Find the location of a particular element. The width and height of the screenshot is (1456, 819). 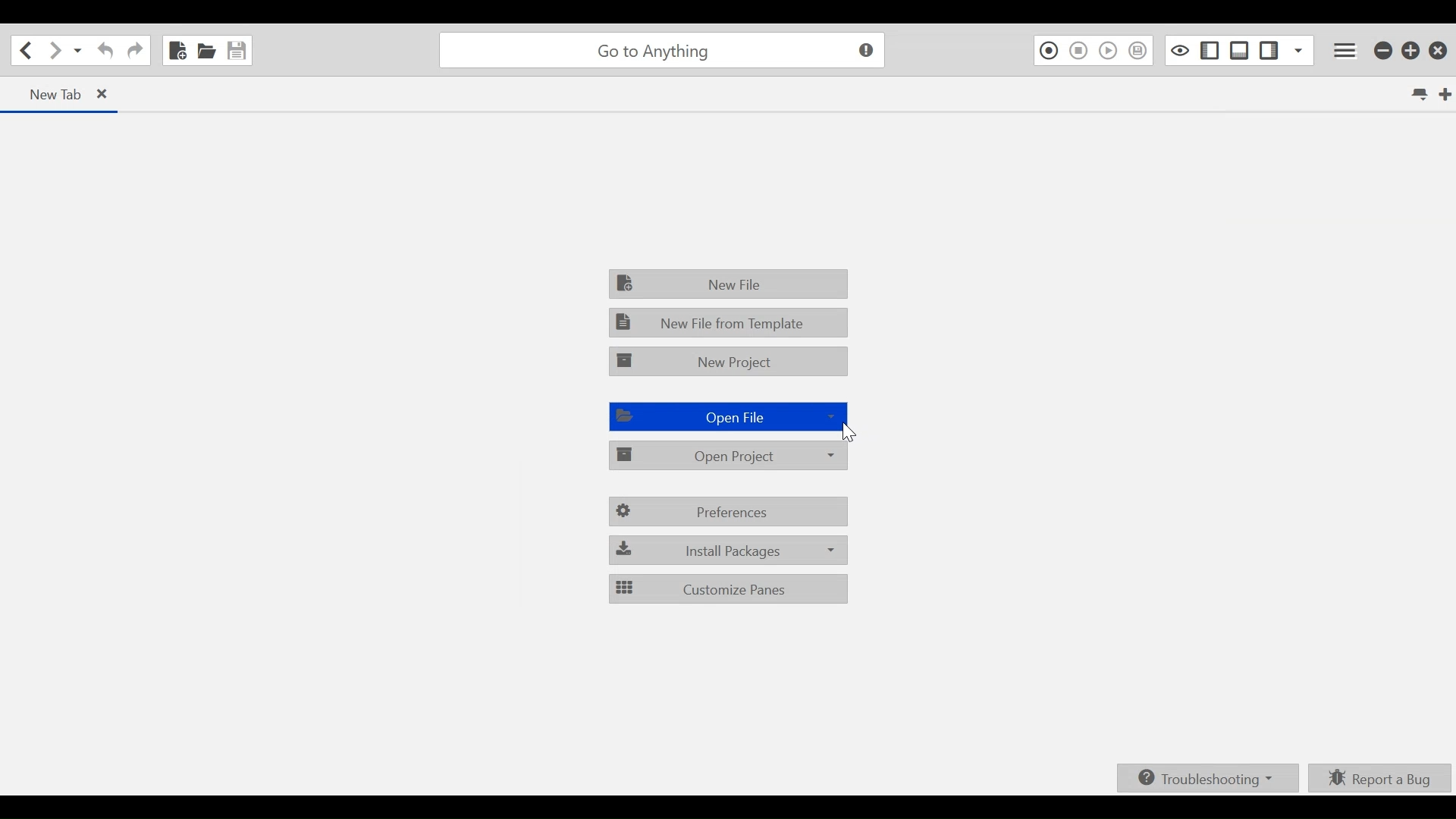

Undo is located at coordinates (104, 51).